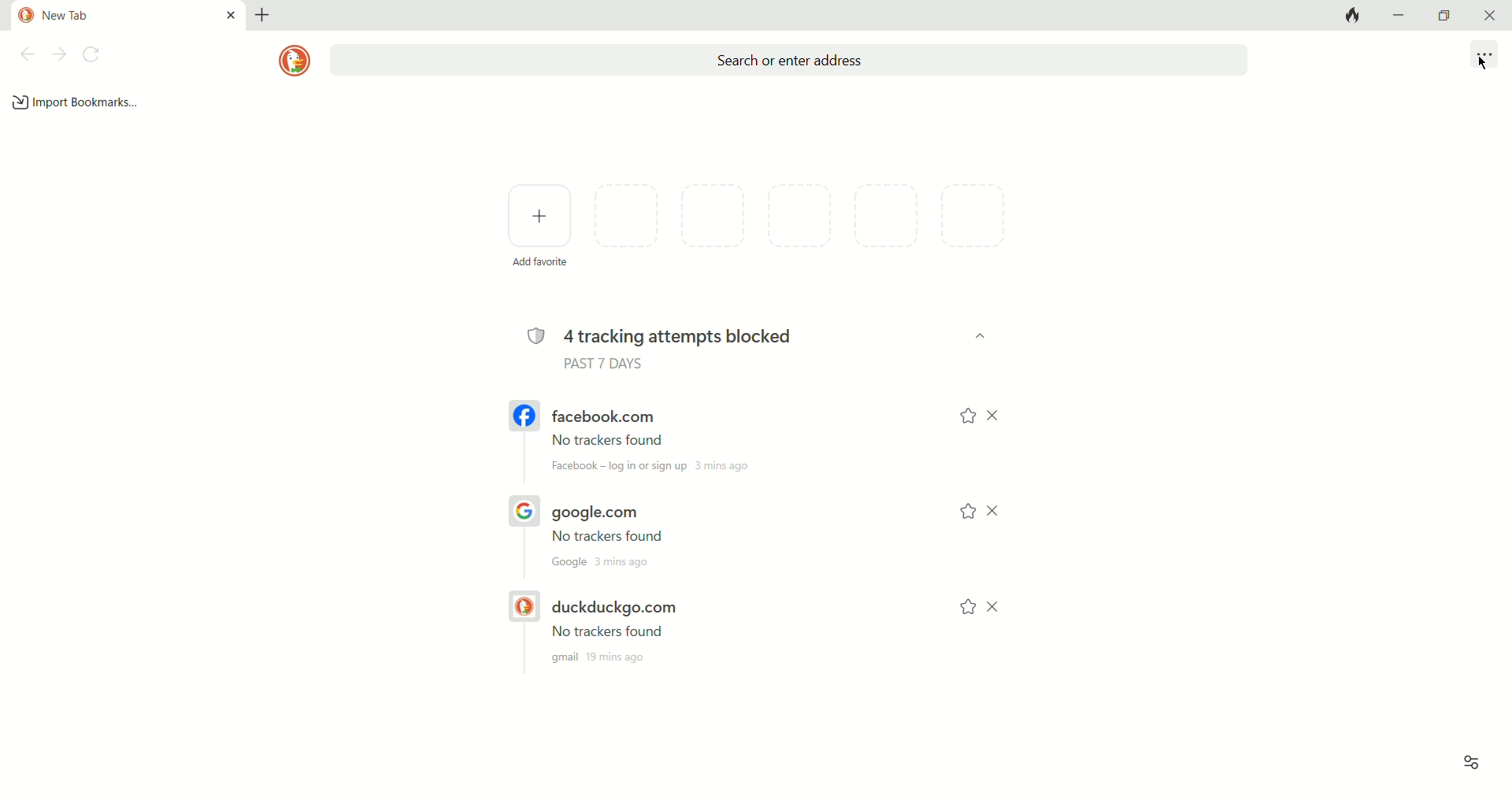 This screenshot has width=1512, height=803. Describe the element at coordinates (999, 511) in the screenshot. I see `close` at that location.